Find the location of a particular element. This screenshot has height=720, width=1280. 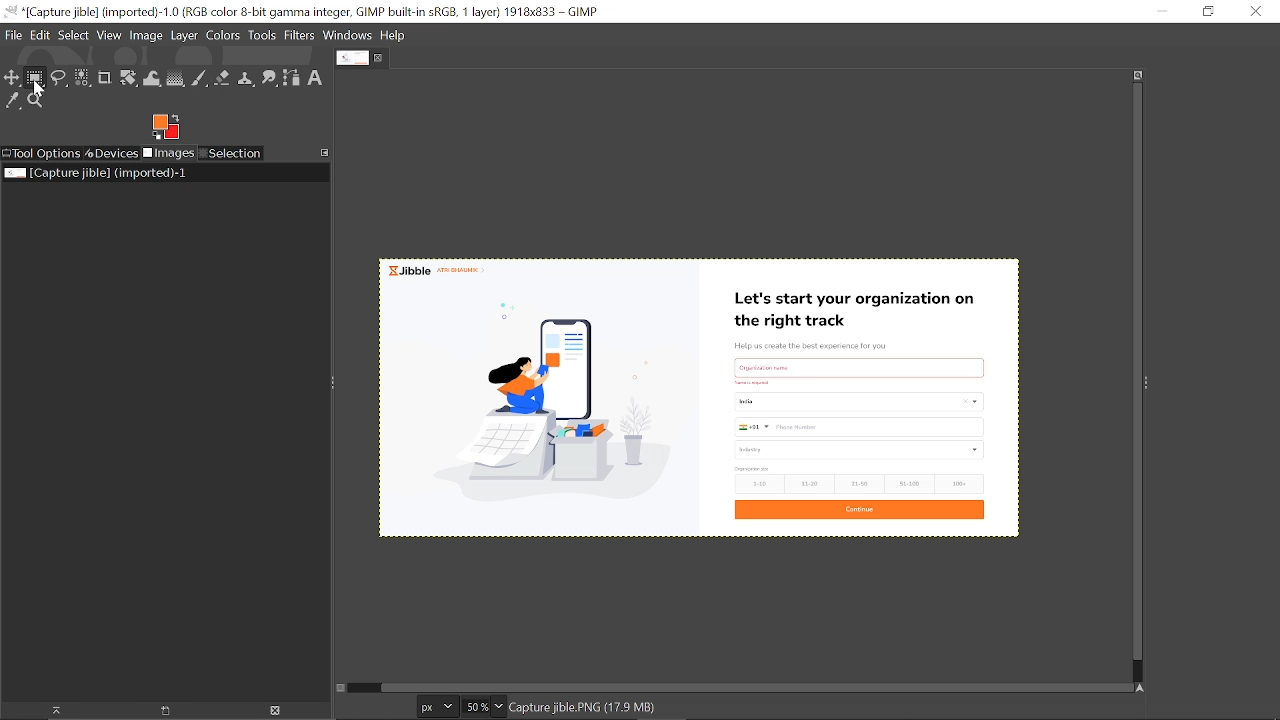

Foreground tool is located at coordinates (165, 127).